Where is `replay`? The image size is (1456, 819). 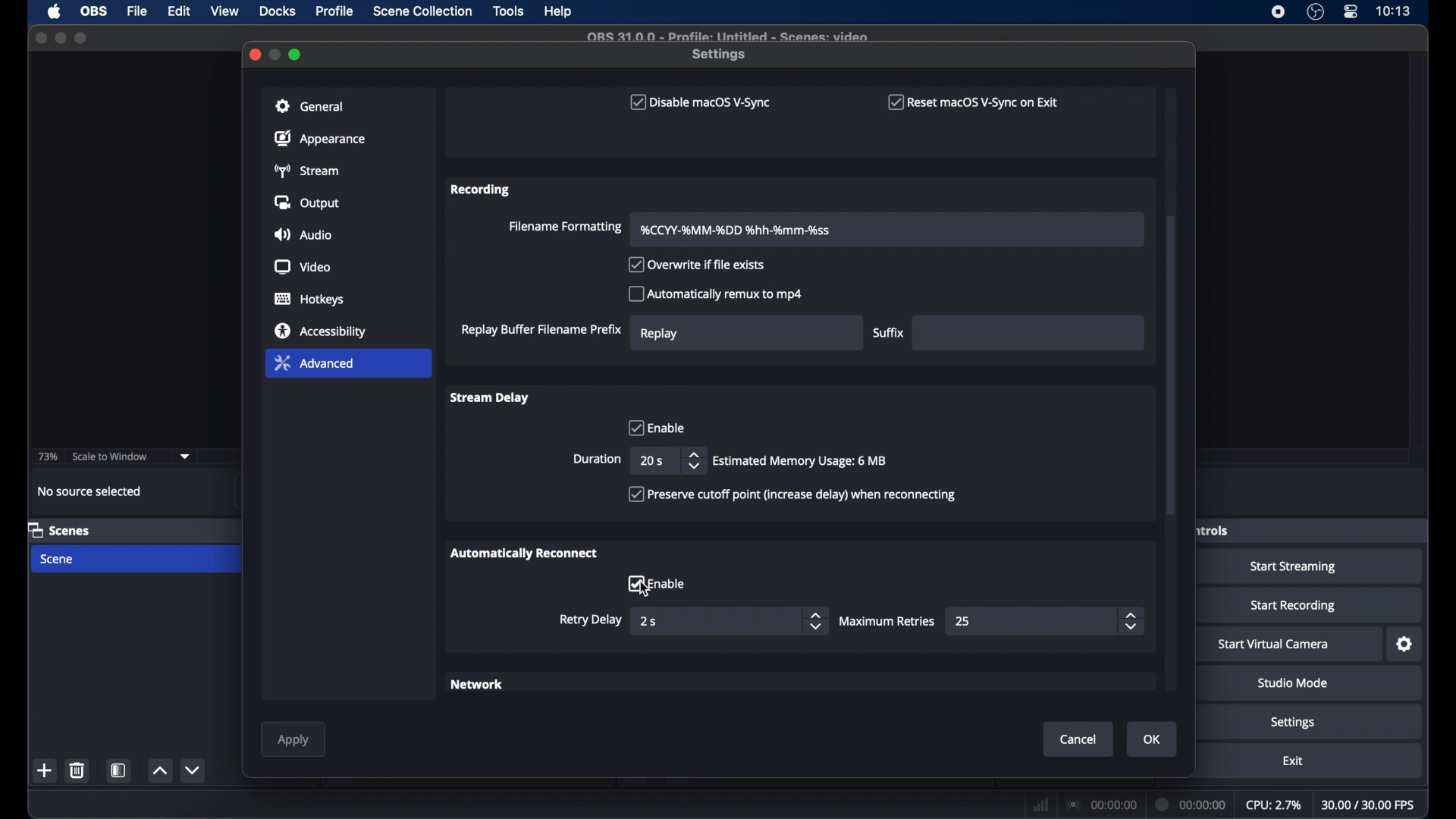
replay is located at coordinates (660, 333).